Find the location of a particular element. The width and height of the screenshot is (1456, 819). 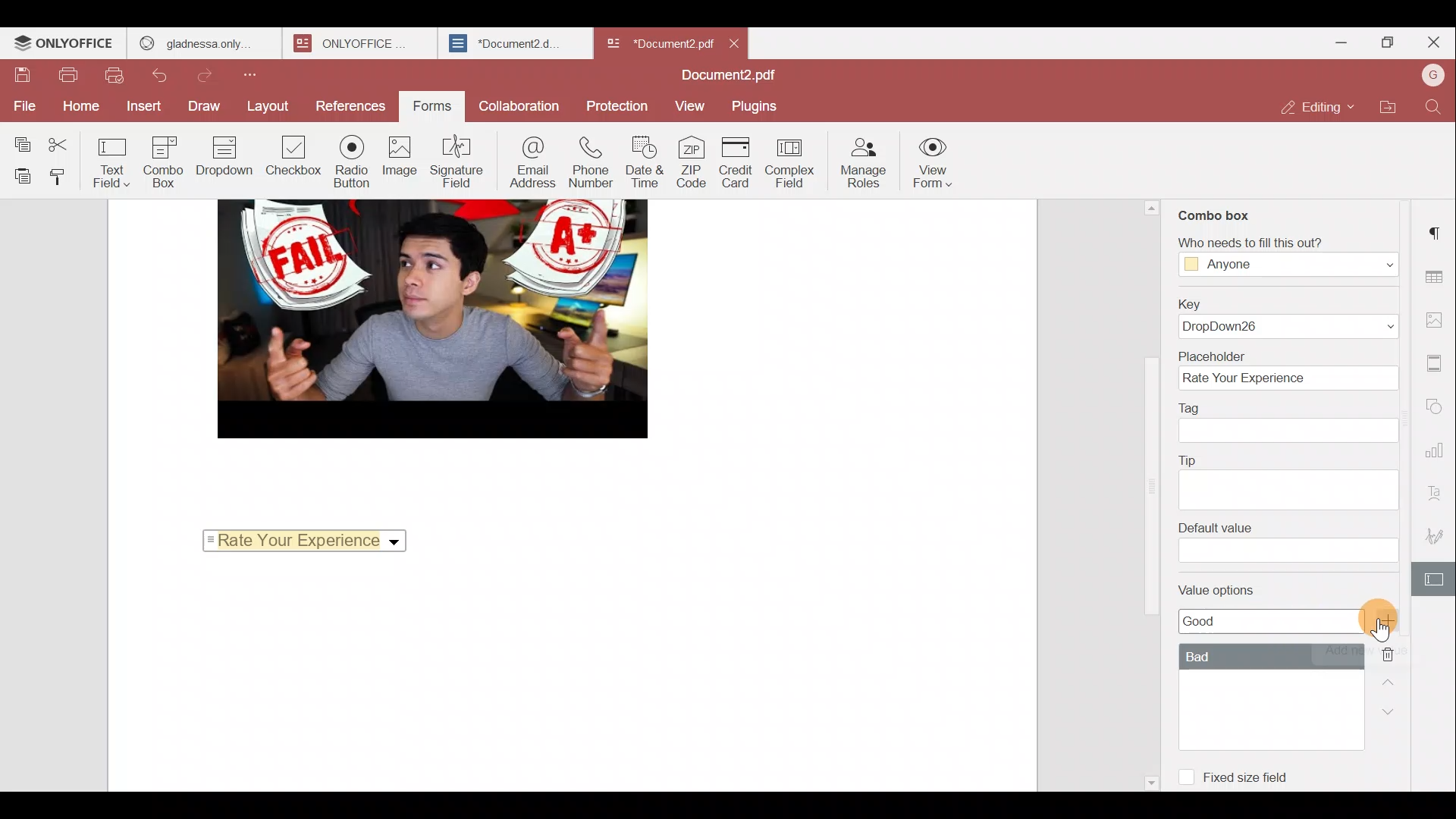

Account name is located at coordinates (1429, 80).